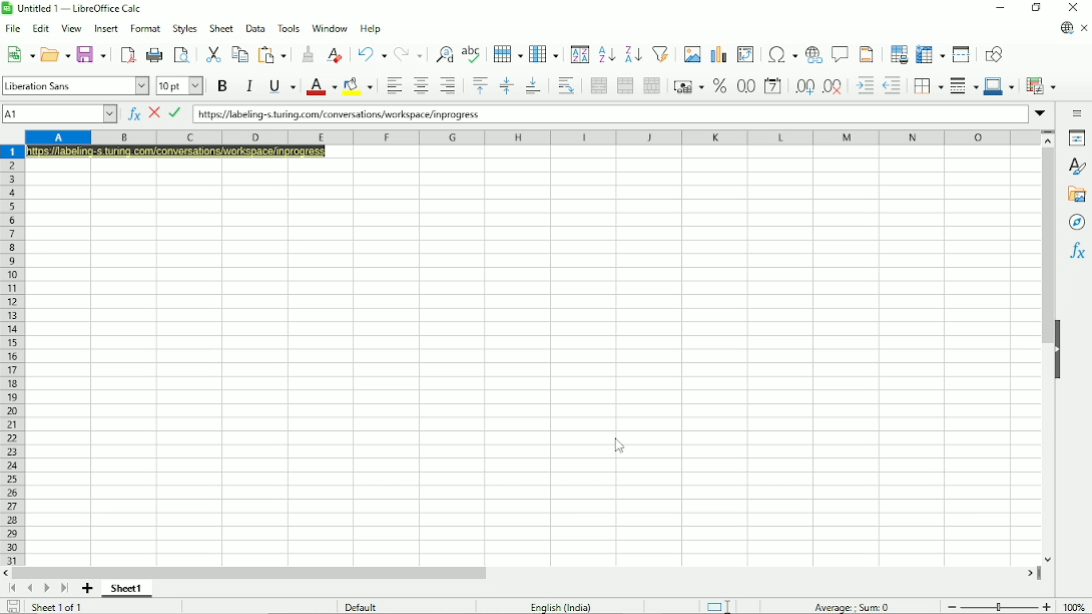 This screenshot has height=614, width=1092. I want to click on Delete decimal place, so click(833, 88).